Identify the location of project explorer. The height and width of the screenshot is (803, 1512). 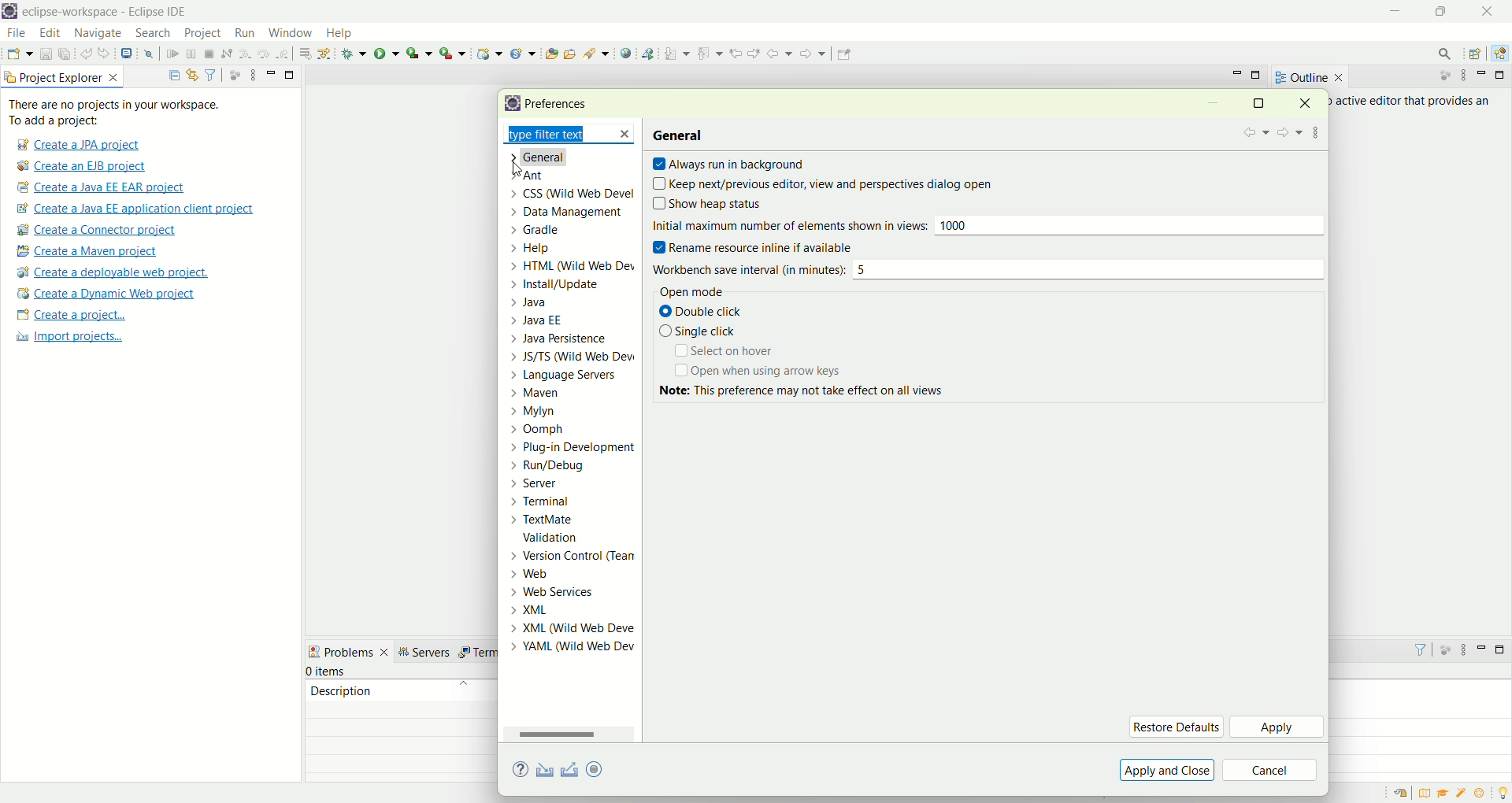
(63, 76).